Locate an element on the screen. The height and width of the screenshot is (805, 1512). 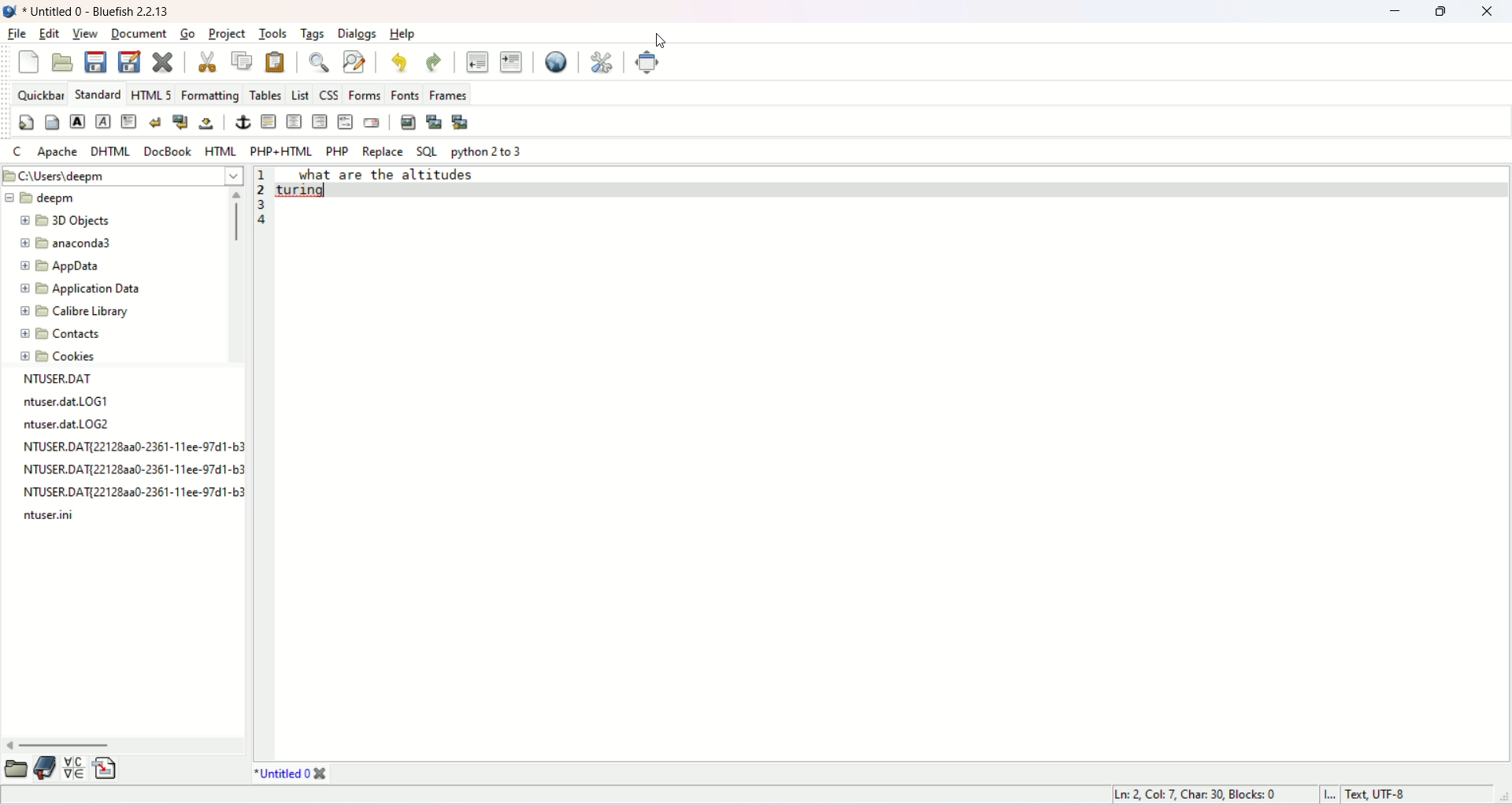
edit preferences is located at coordinates (602, 61).